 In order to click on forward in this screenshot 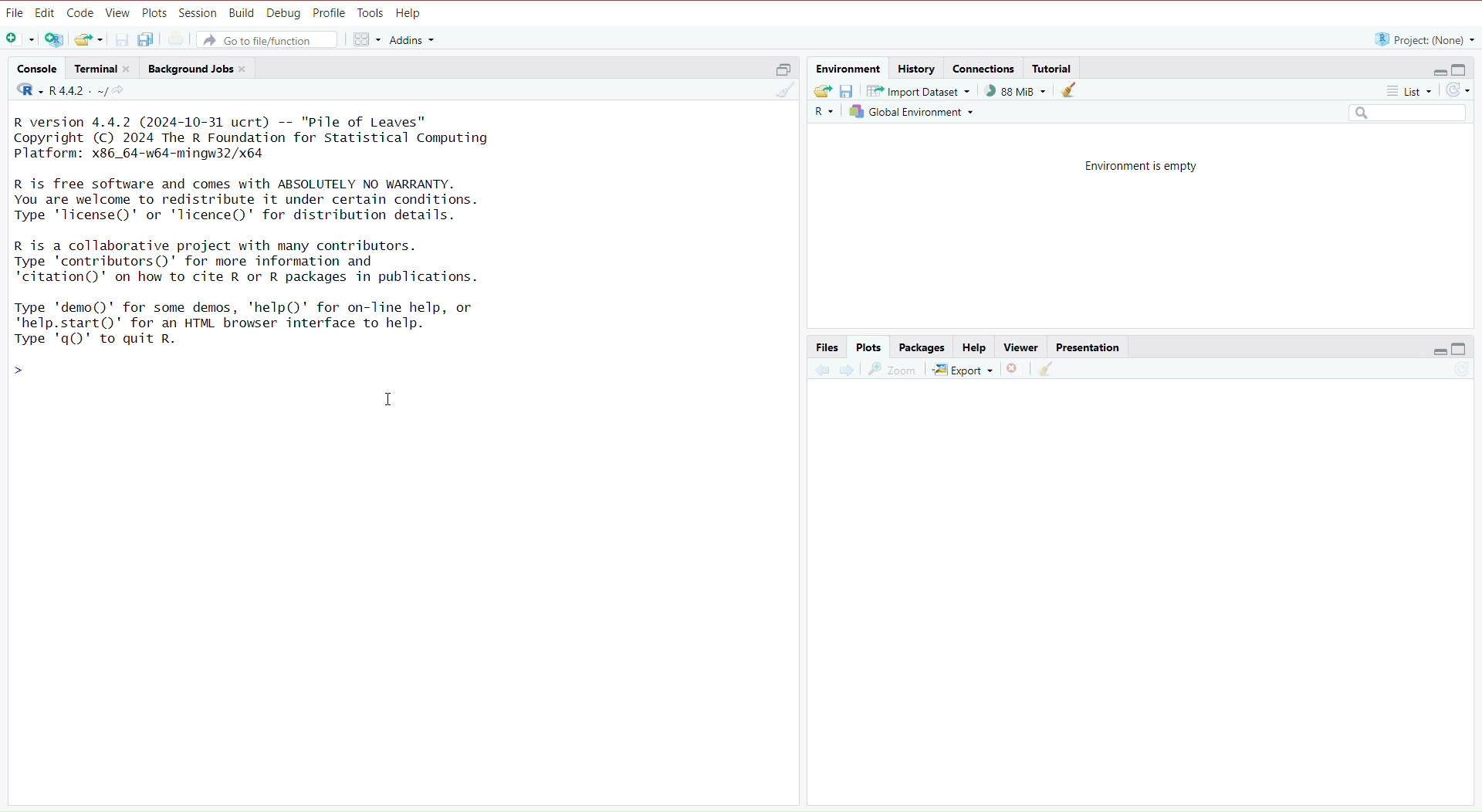, I will do `click(847, 373)`.